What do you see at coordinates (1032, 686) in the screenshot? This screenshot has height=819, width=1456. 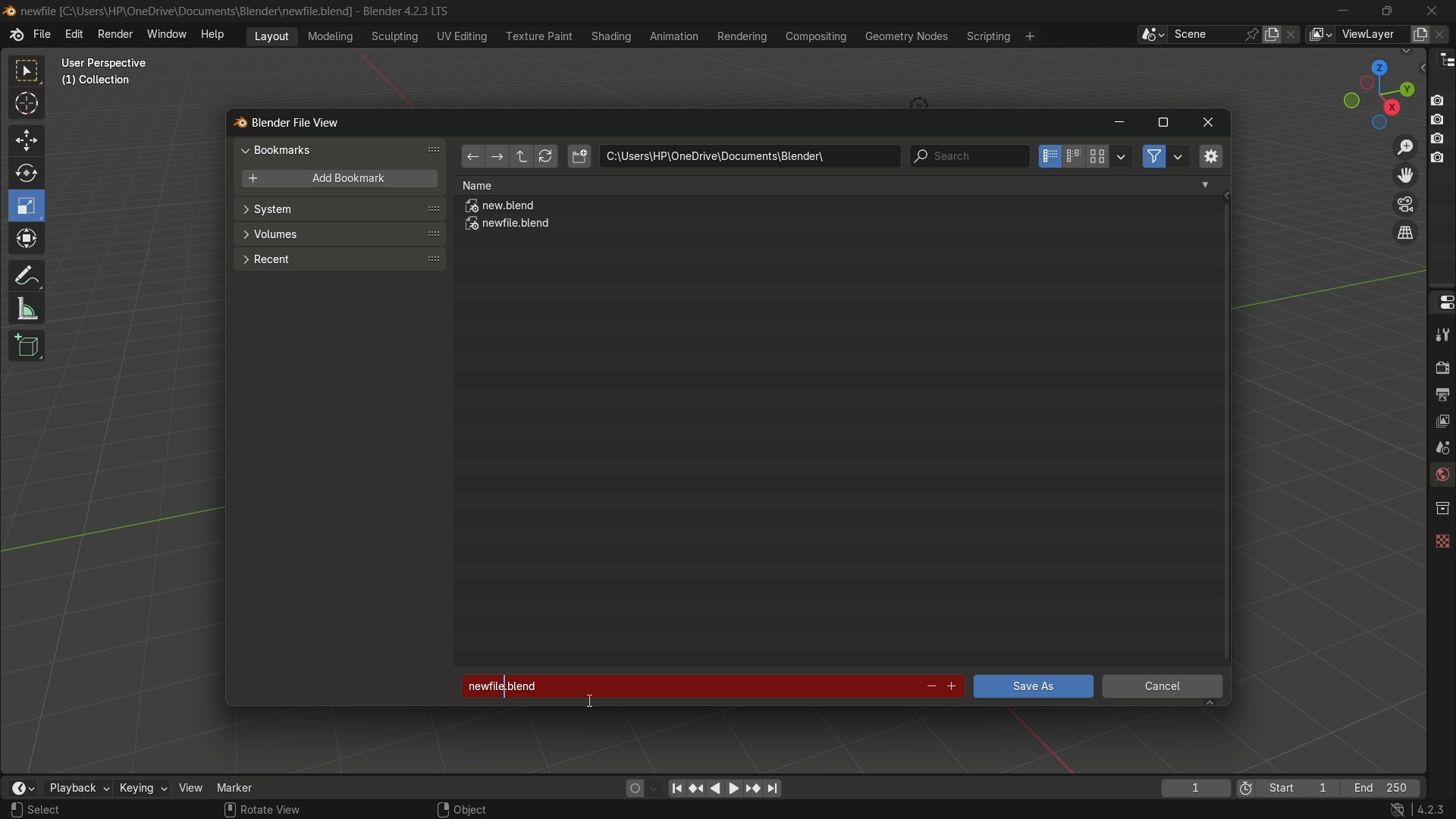 I see `save as` at bounding box center [1032, 686].